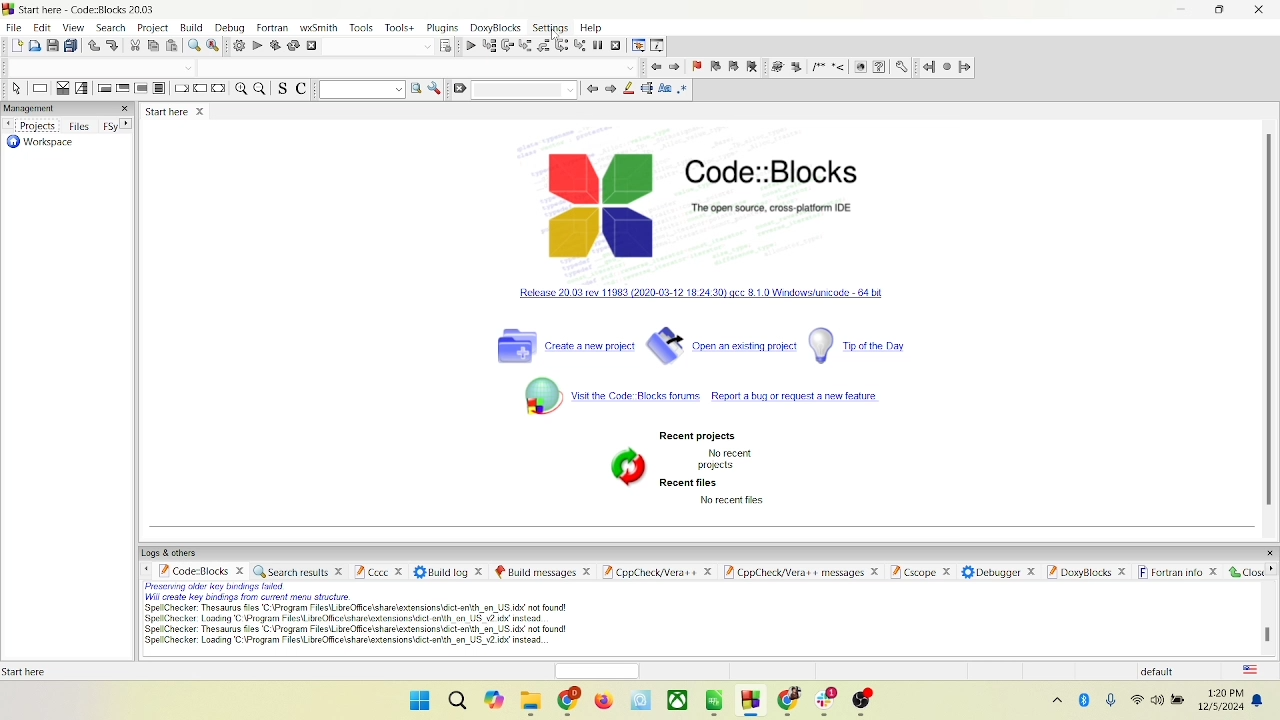 The height and width of the screenshot is (720, 1280). What do you see at coordinates (769, 190) in the screenshot?
I see `Code::block` at bounding box center [769, 190].